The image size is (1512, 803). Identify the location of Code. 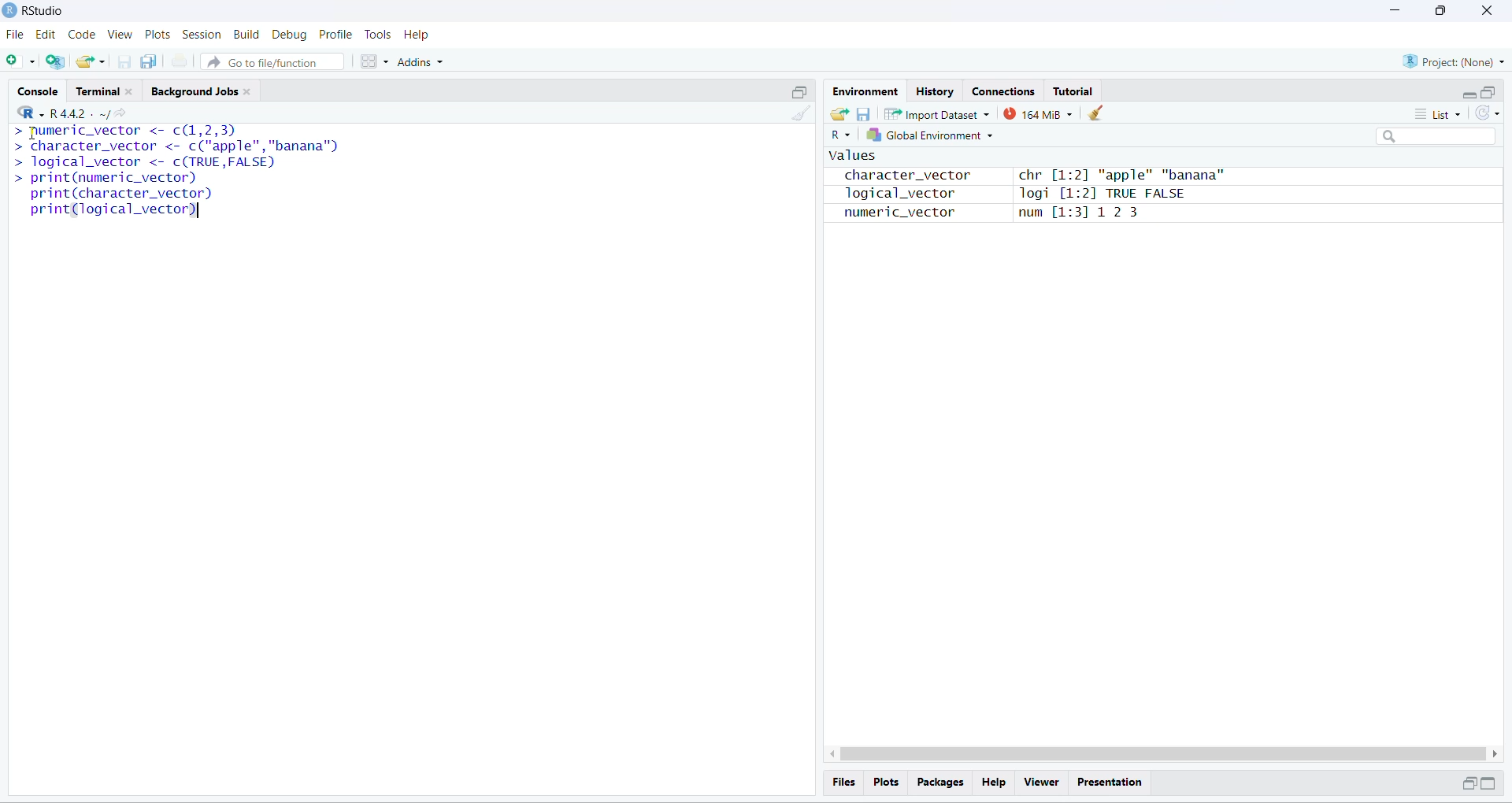
(80, 35).